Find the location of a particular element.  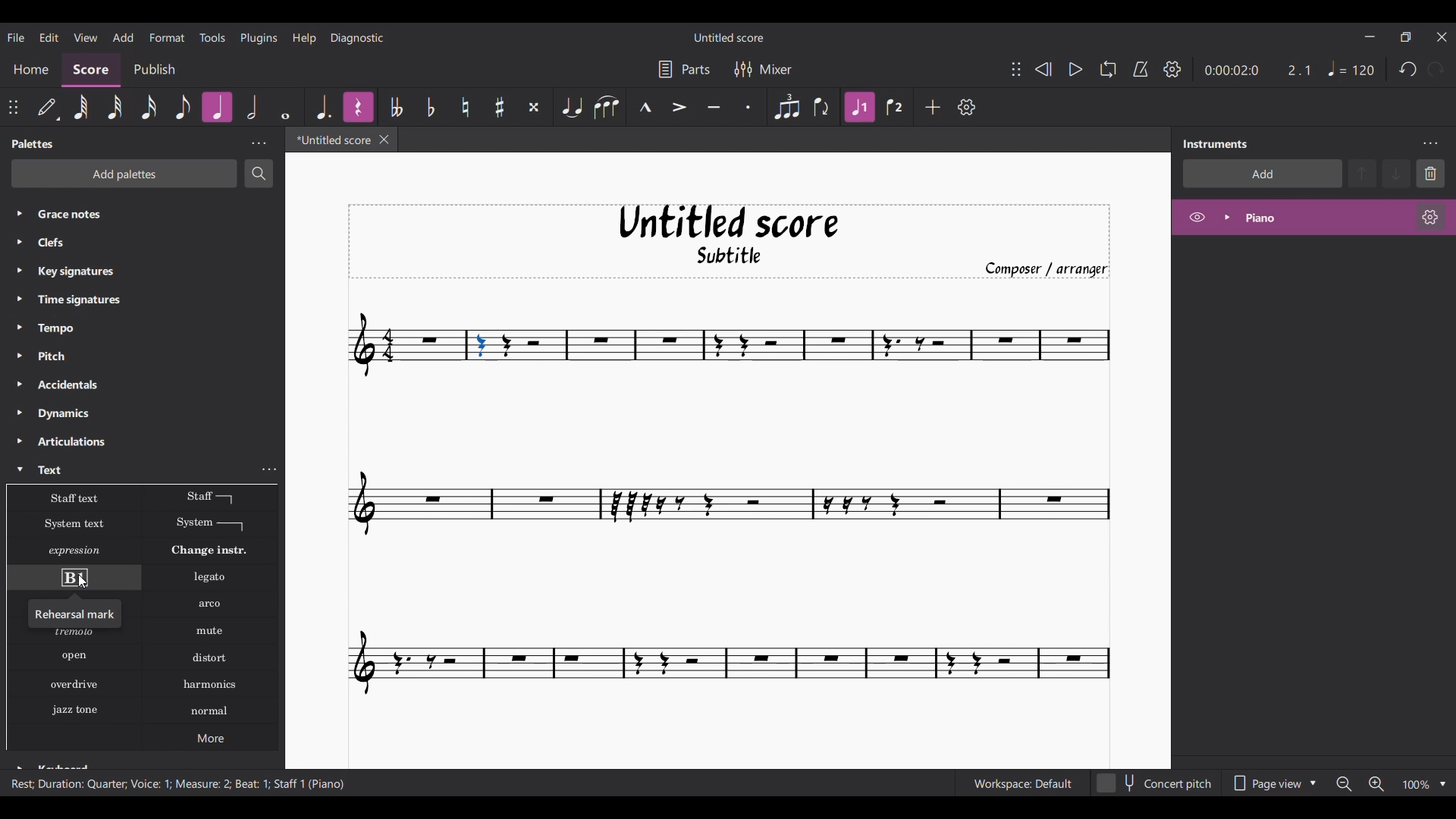

Rewind is located at coordinates (1043, 68).